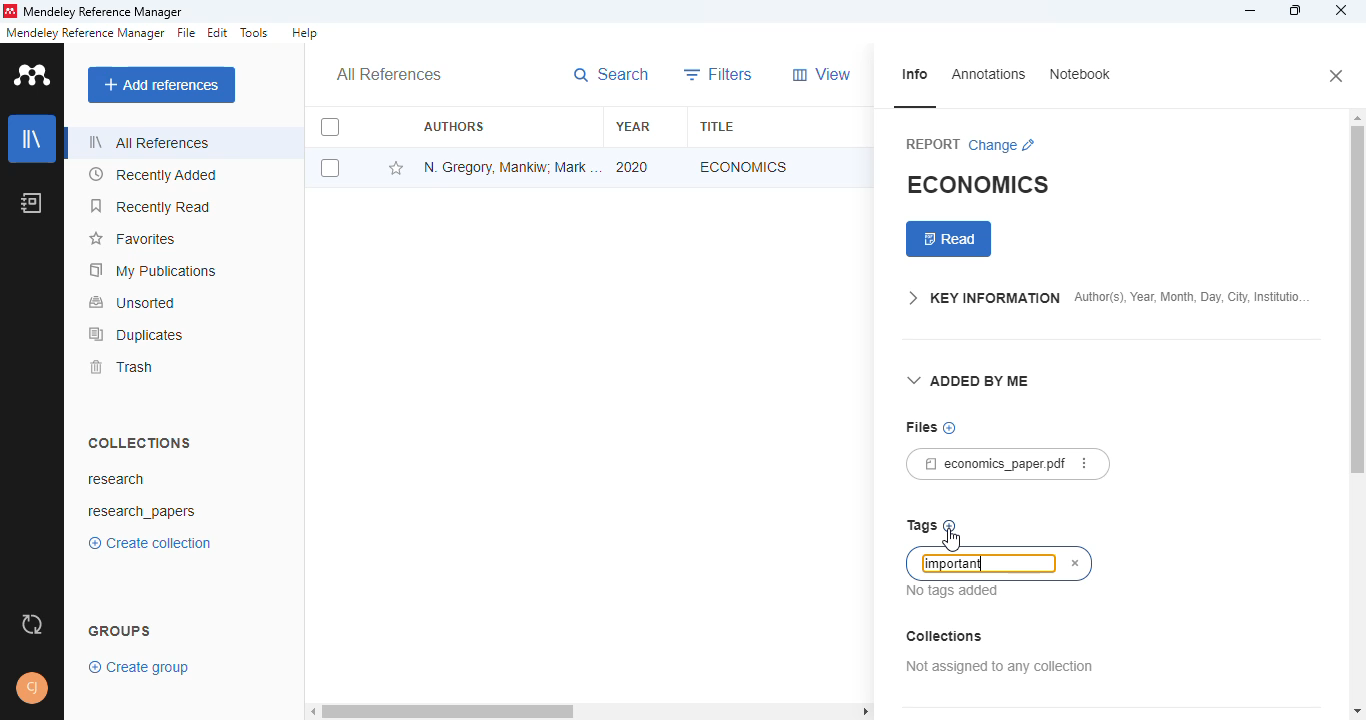  Describe the element at coordinates (949, 239) in the screenshot. I see `read` at that location.